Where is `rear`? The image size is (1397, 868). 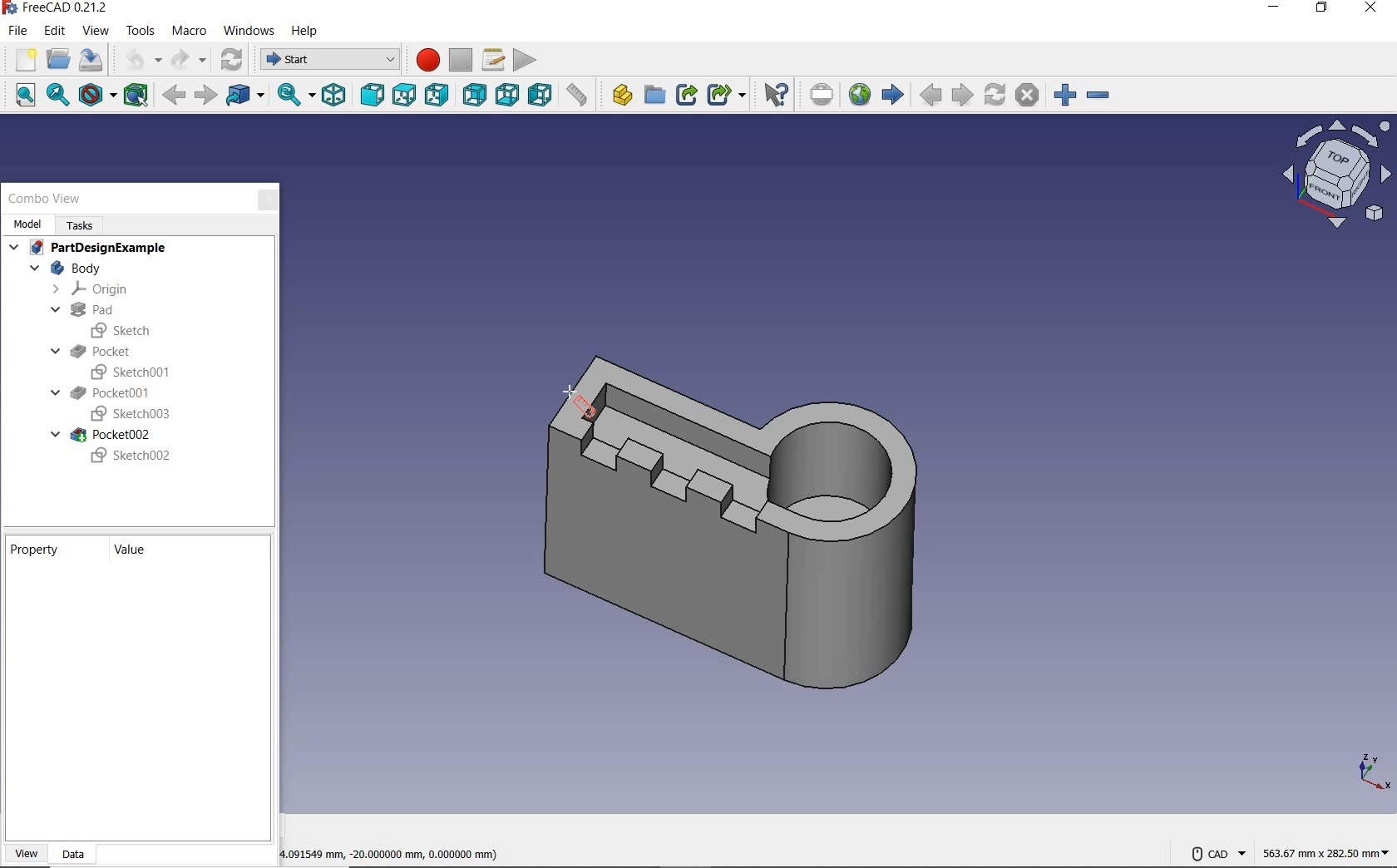 rear is located at coordinates (472, 97).